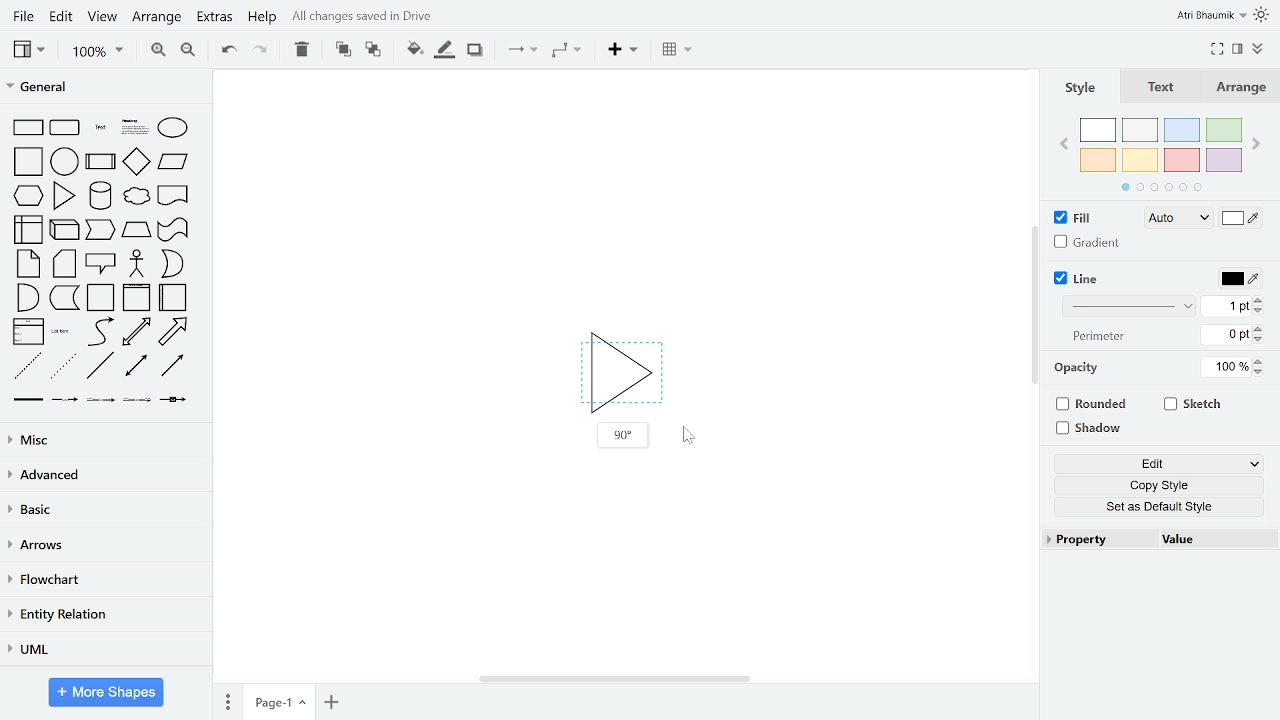 The image size is (1280, 720). I want to click on trapezoid, so click(136, 232).